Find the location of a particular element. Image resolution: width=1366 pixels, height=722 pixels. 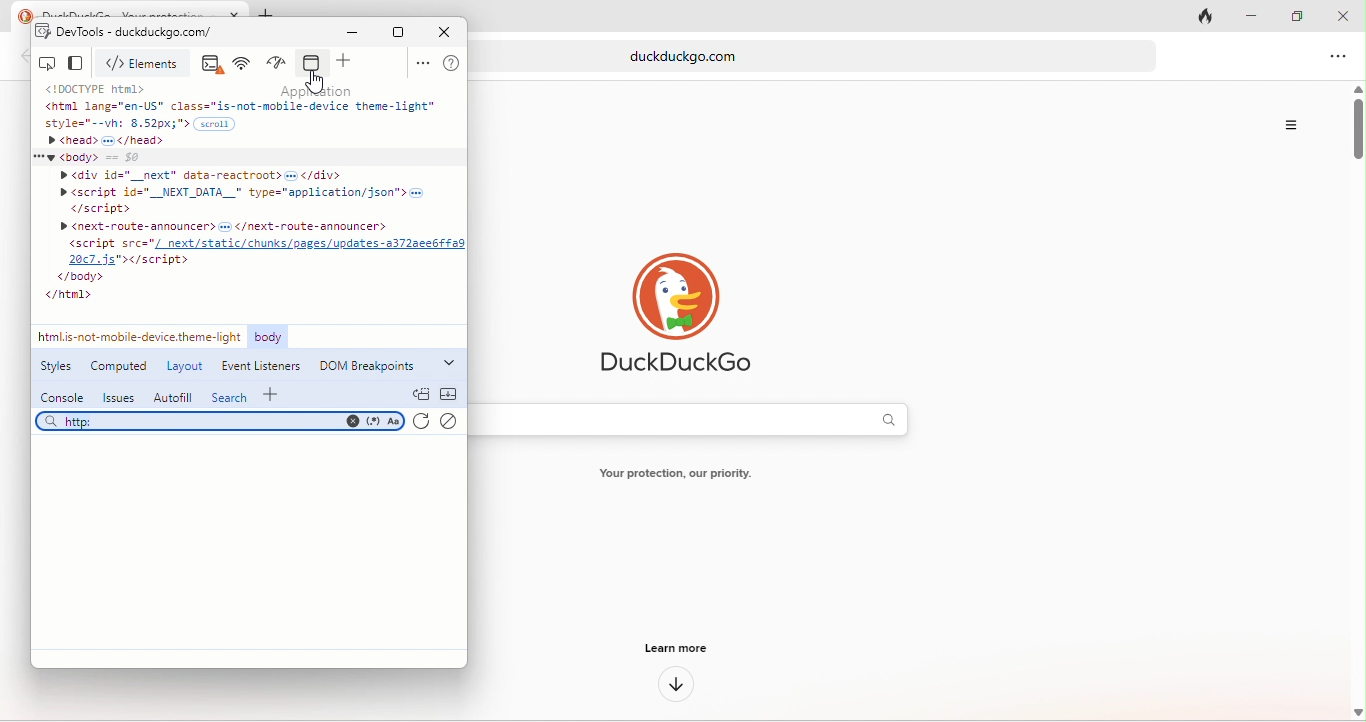

dev tools is located at coordinates (126, 32).